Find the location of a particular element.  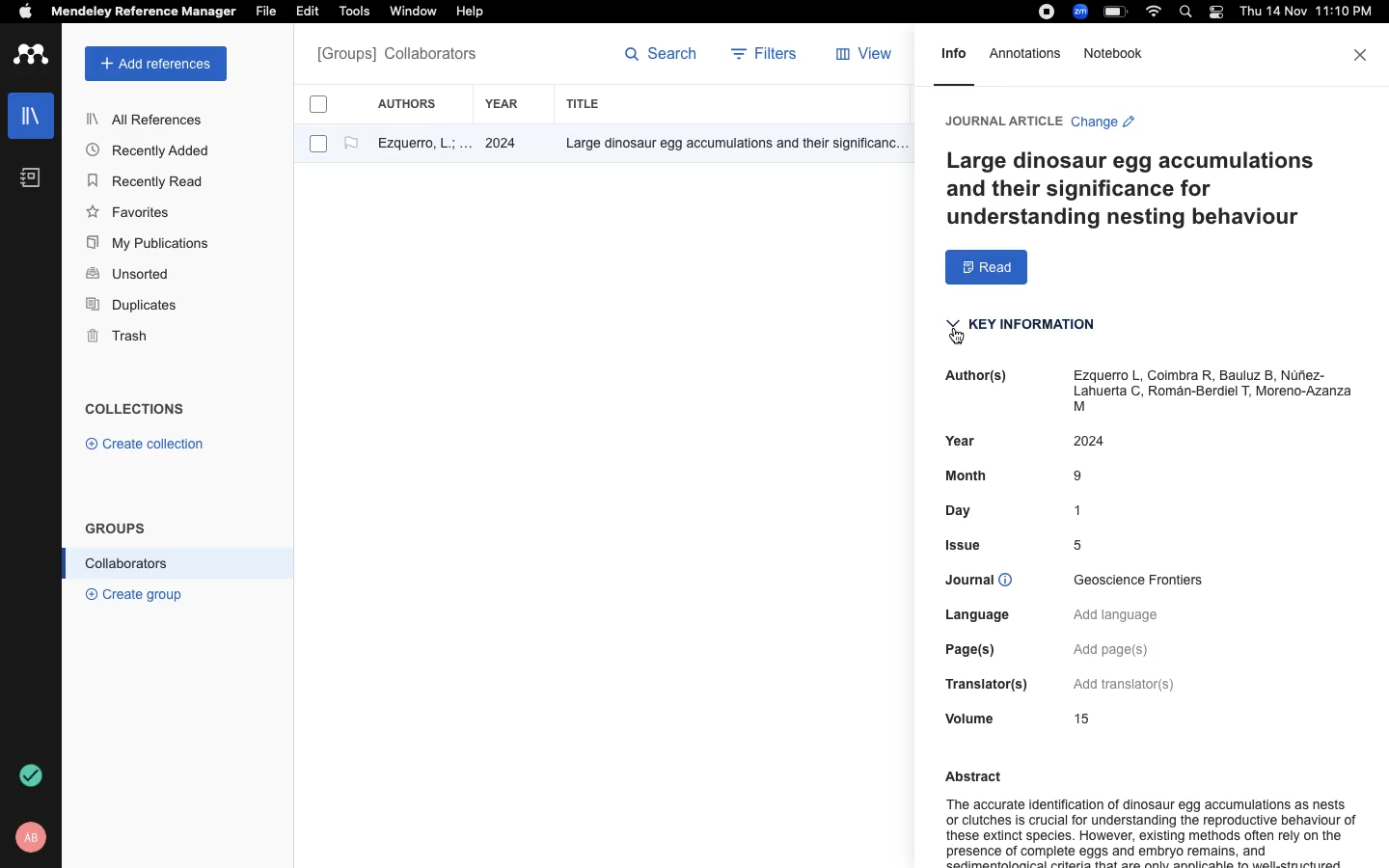

Unsorted is located at coordinates (130, 275).